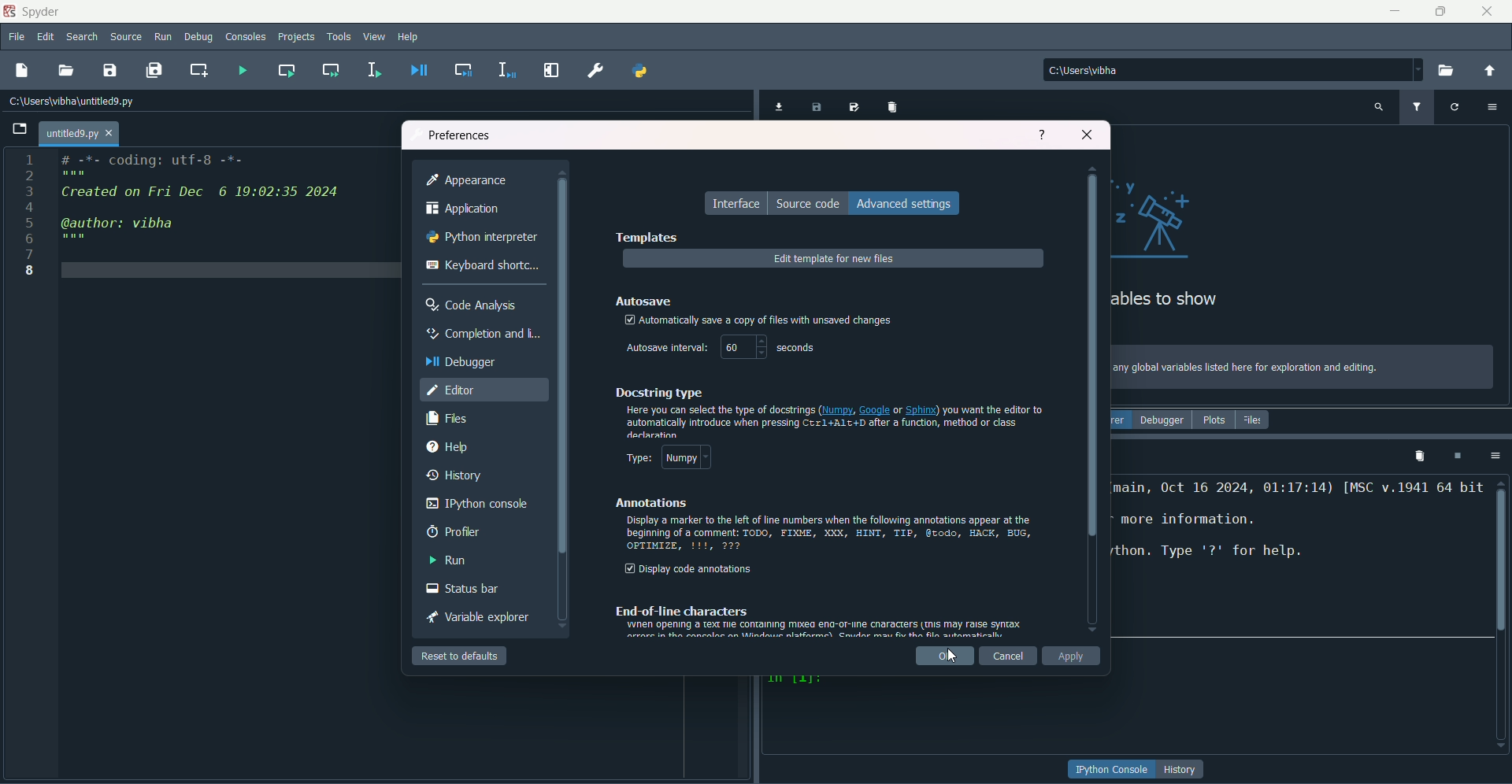 This screenshot has height=784, width=1512. Describe the element at coordinates (647, 504) in the screenshot. I see `annotations` at that location.